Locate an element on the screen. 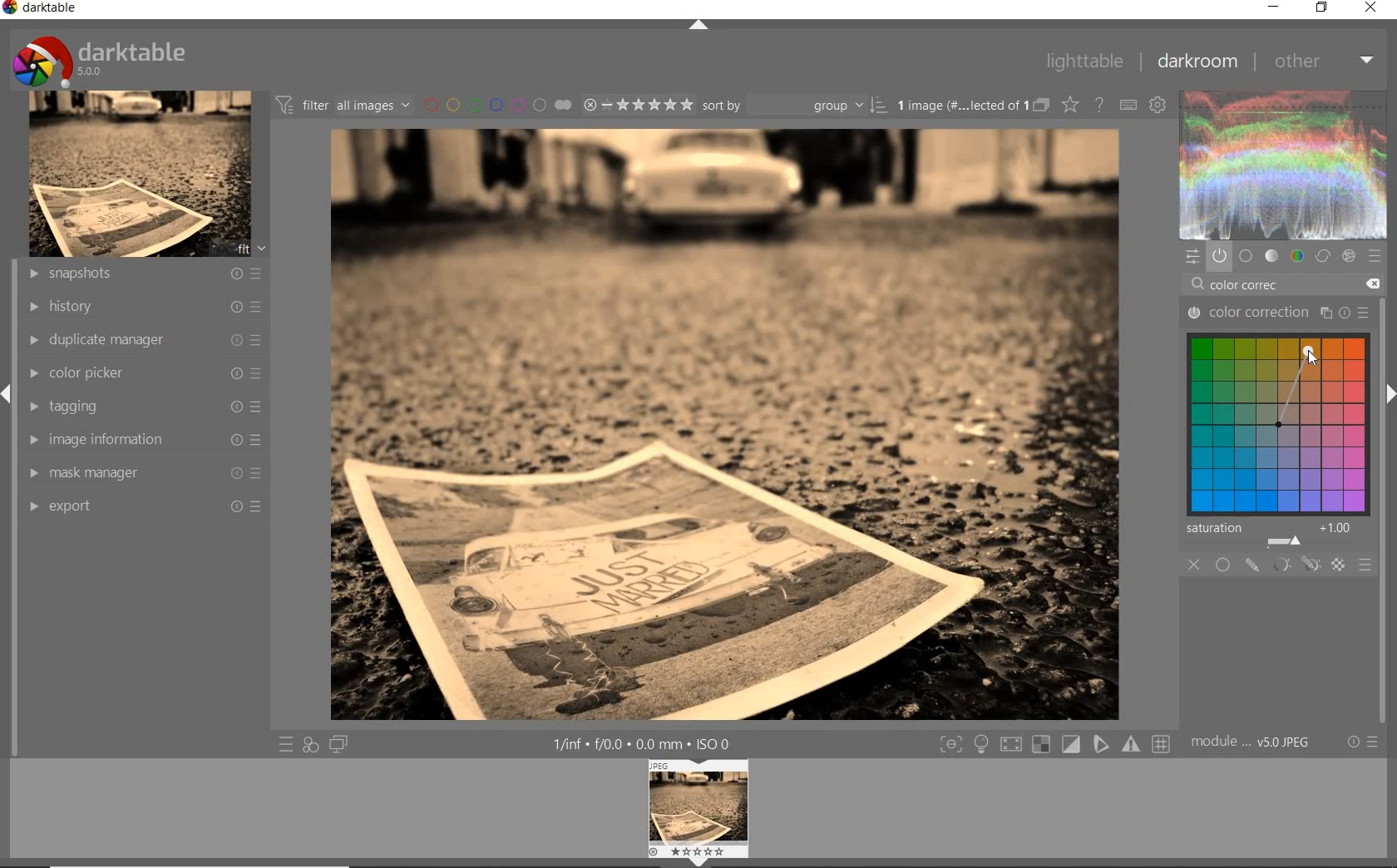  tagging is located at coordinates (142, 409).